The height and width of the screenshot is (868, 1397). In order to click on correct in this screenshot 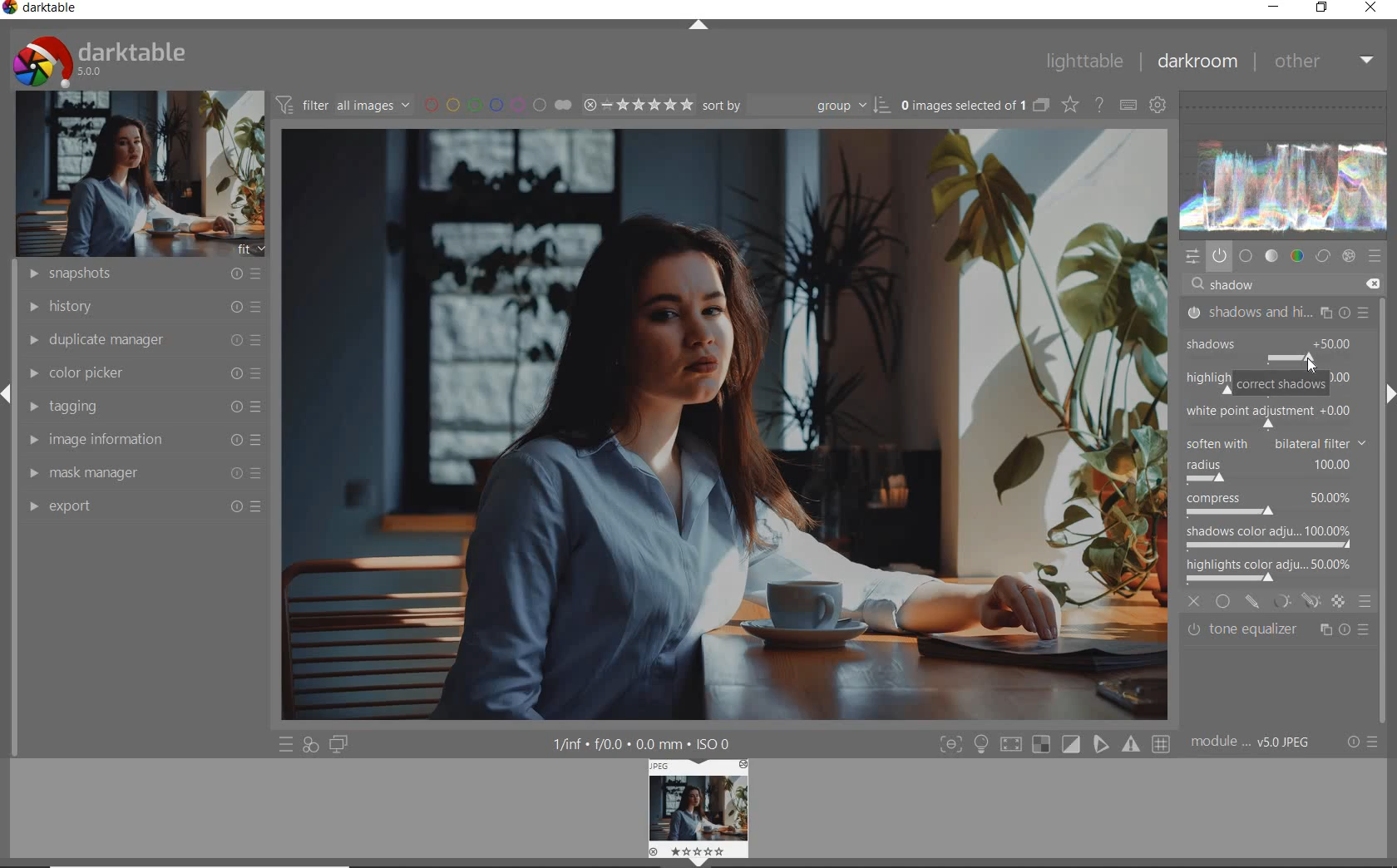, I will do `click(1322, 255)`.